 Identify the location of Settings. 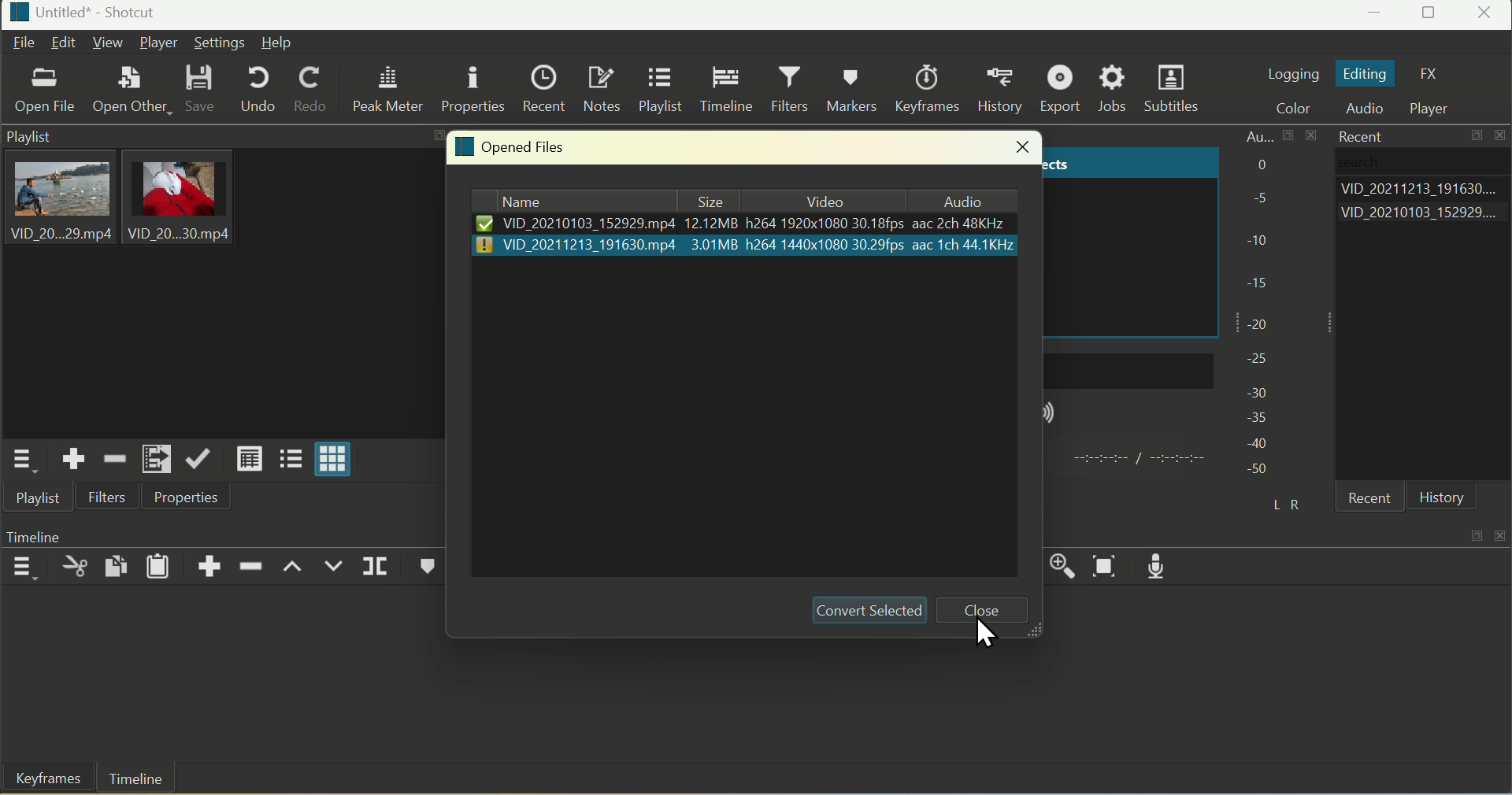
(219, 43).